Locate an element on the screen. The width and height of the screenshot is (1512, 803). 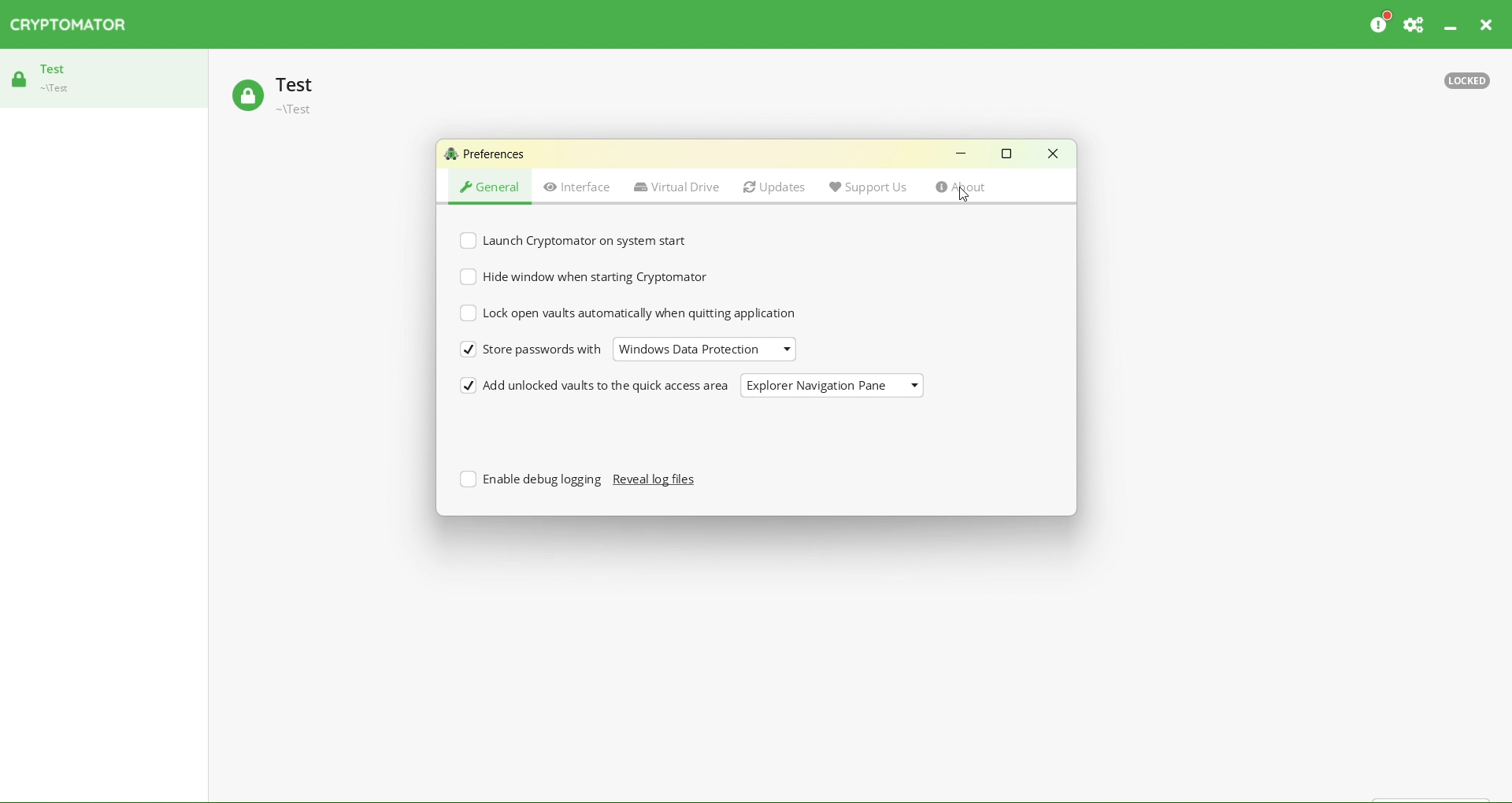
Minimize is located at coordinates (962, 155).